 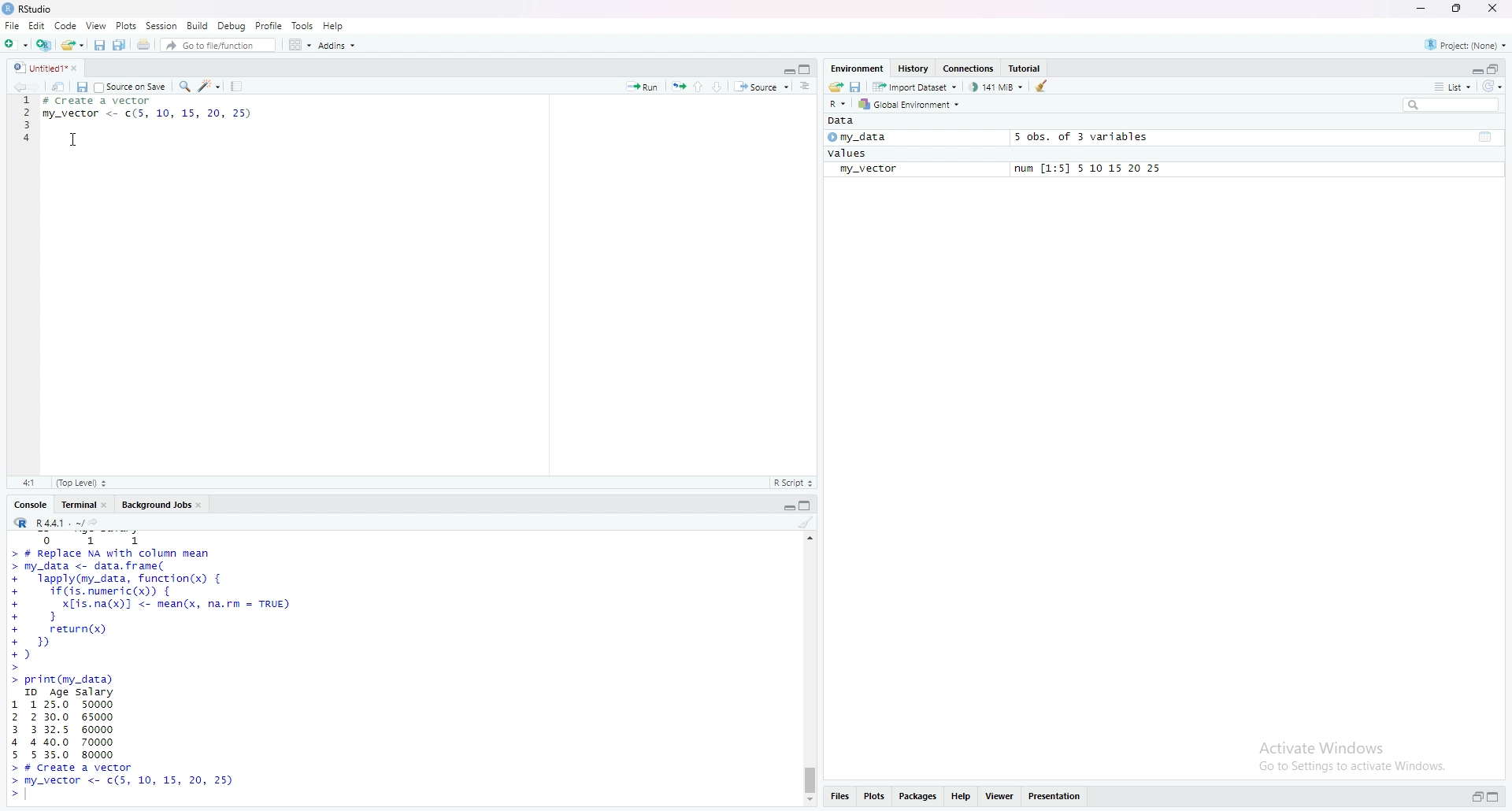 I want to click on Addins, so click(x=338, y=46).